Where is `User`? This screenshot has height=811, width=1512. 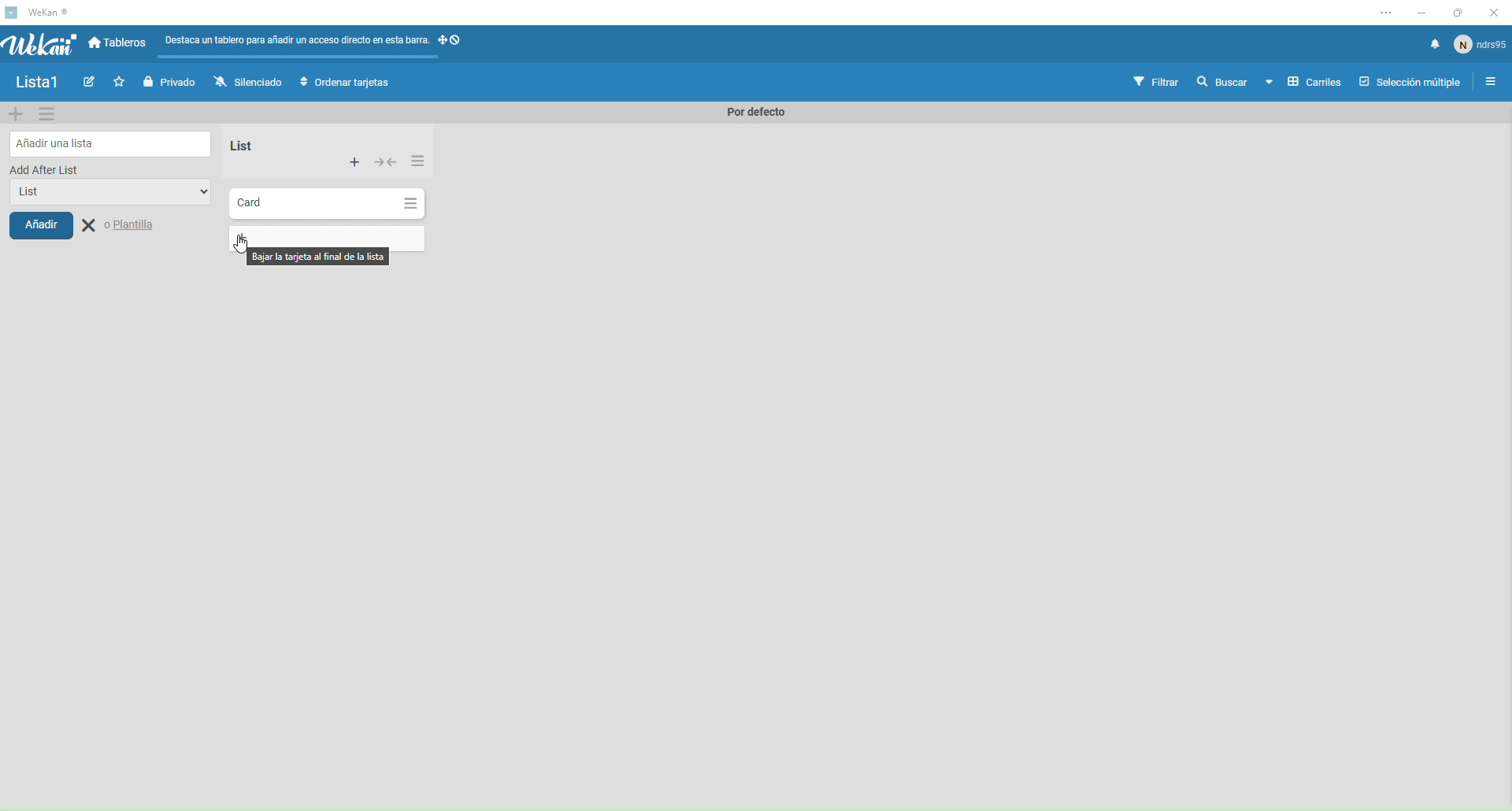
User is located at coordinates (1480, 43).